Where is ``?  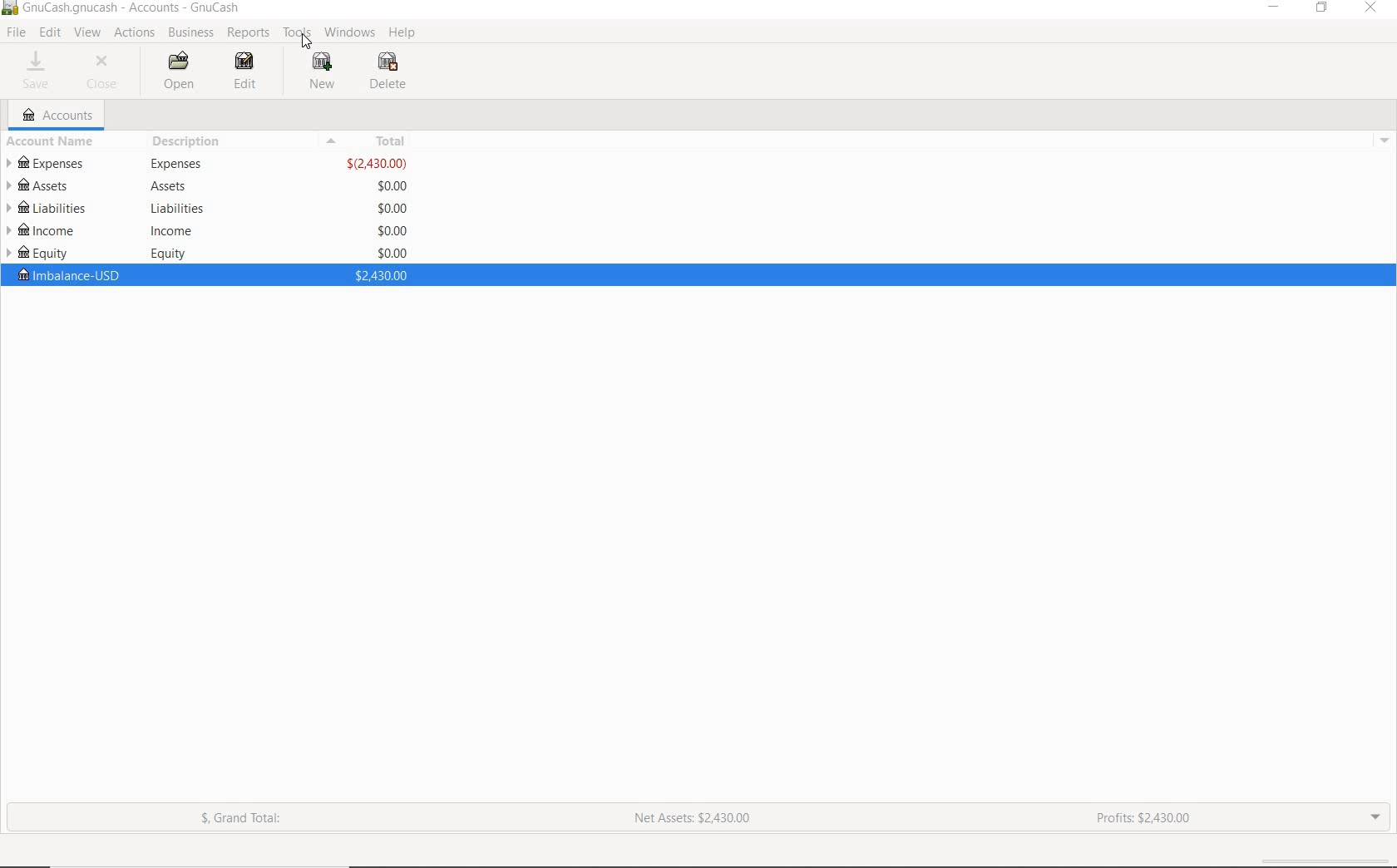  is located at coordinates (168, 186).